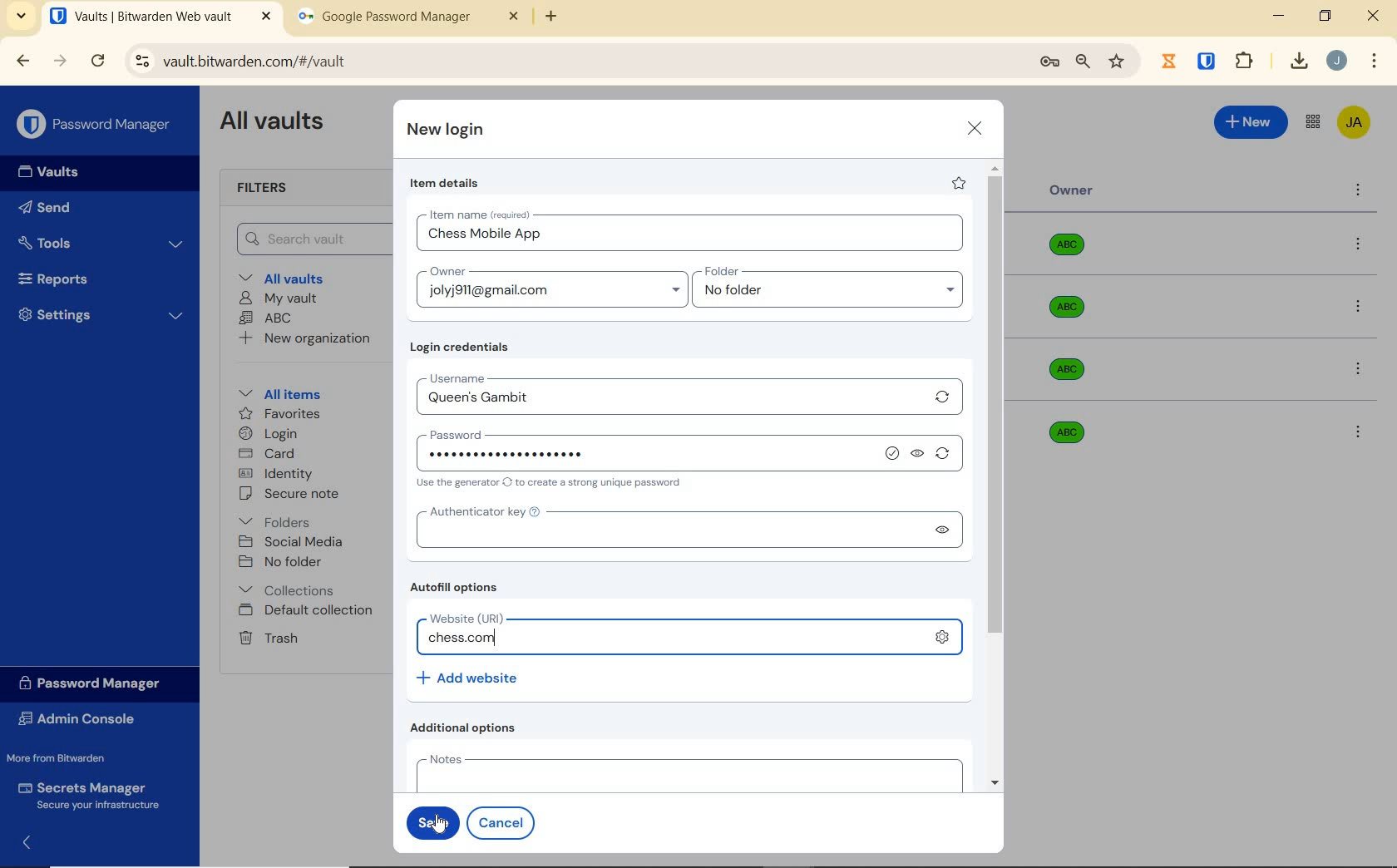  I want to click on open tab, so click(160, 17).